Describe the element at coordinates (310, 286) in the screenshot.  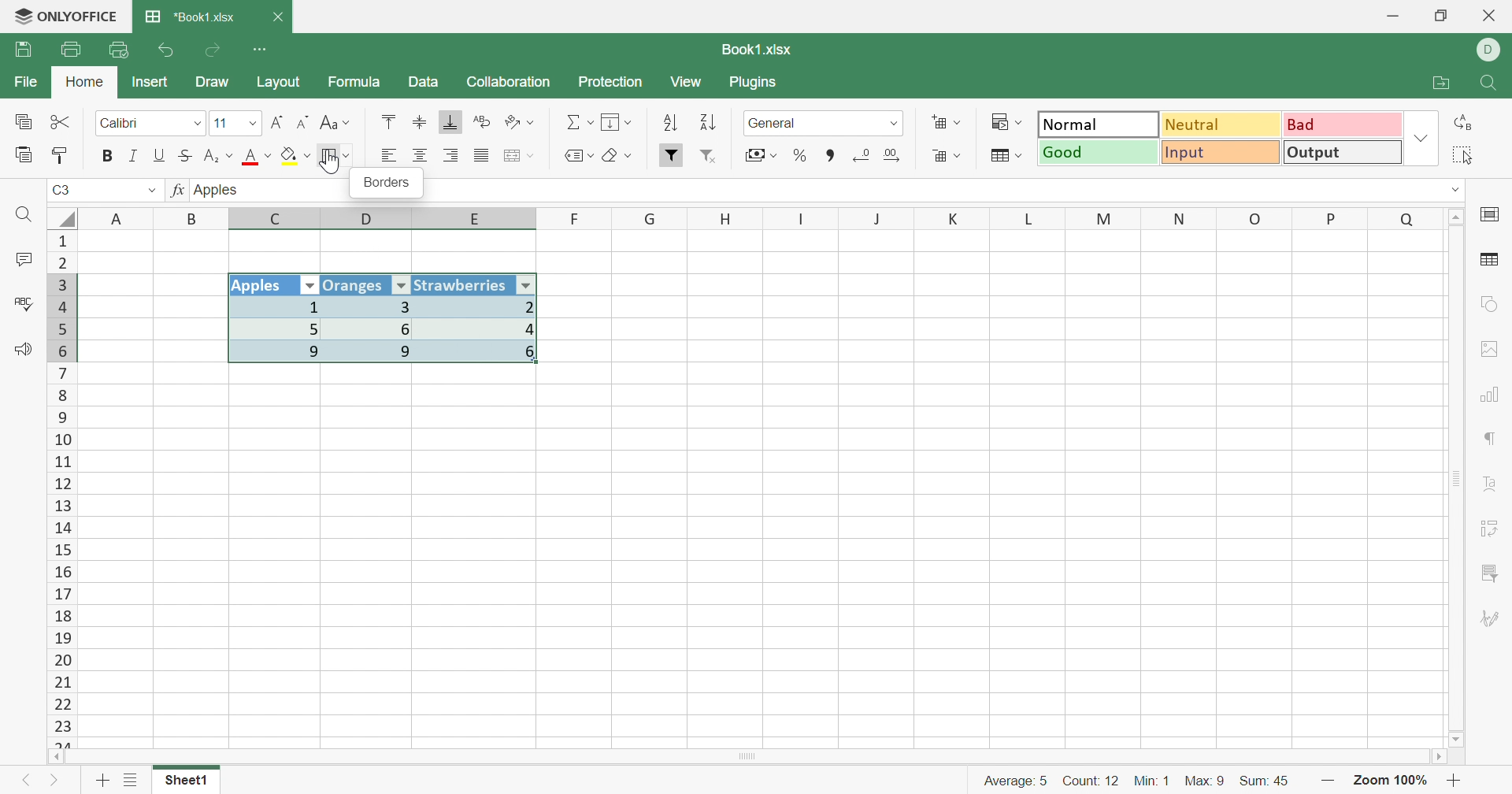
I see `Autofilter` at that location.